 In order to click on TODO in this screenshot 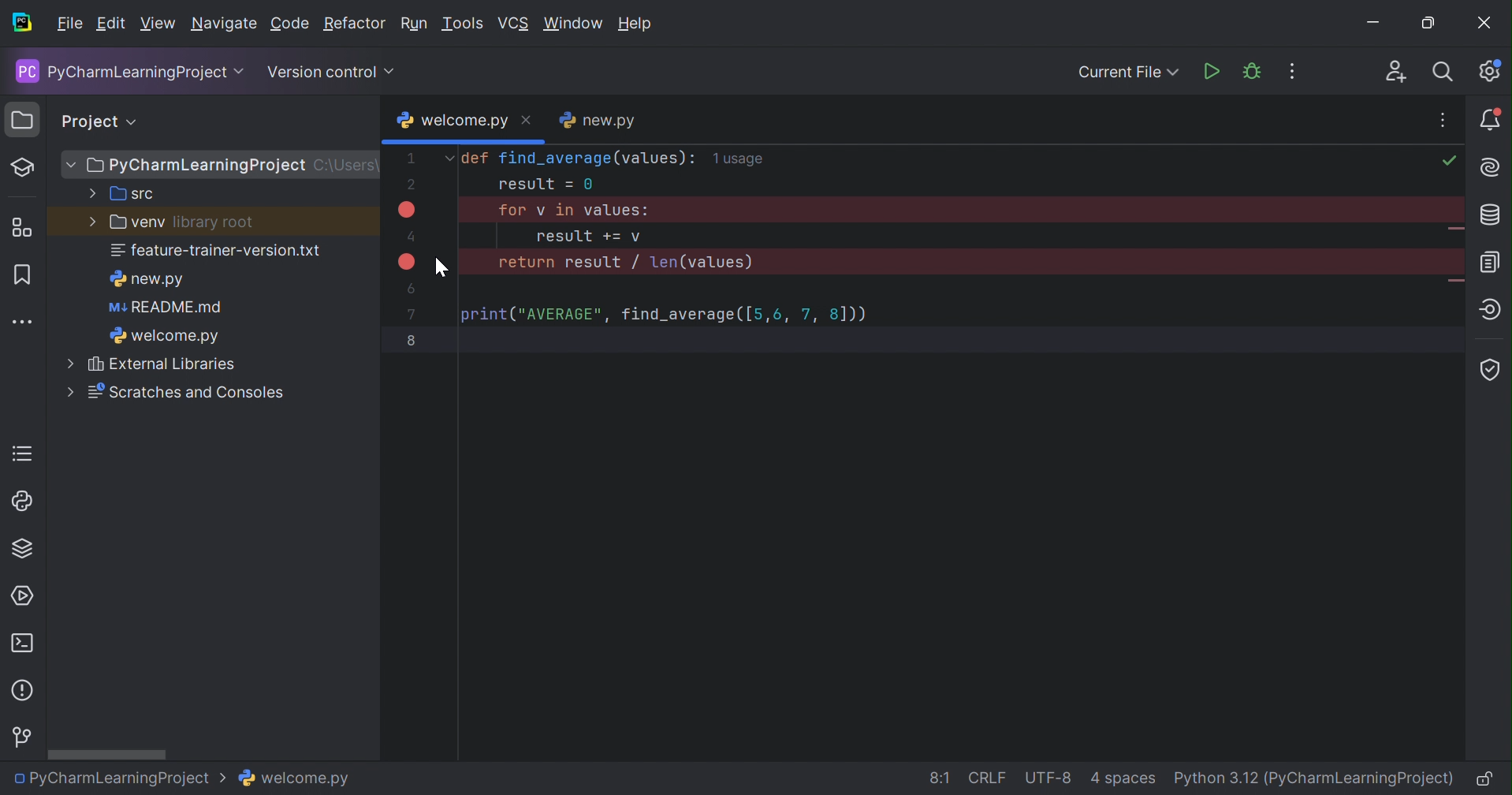, I will do `click(23, 451)`.